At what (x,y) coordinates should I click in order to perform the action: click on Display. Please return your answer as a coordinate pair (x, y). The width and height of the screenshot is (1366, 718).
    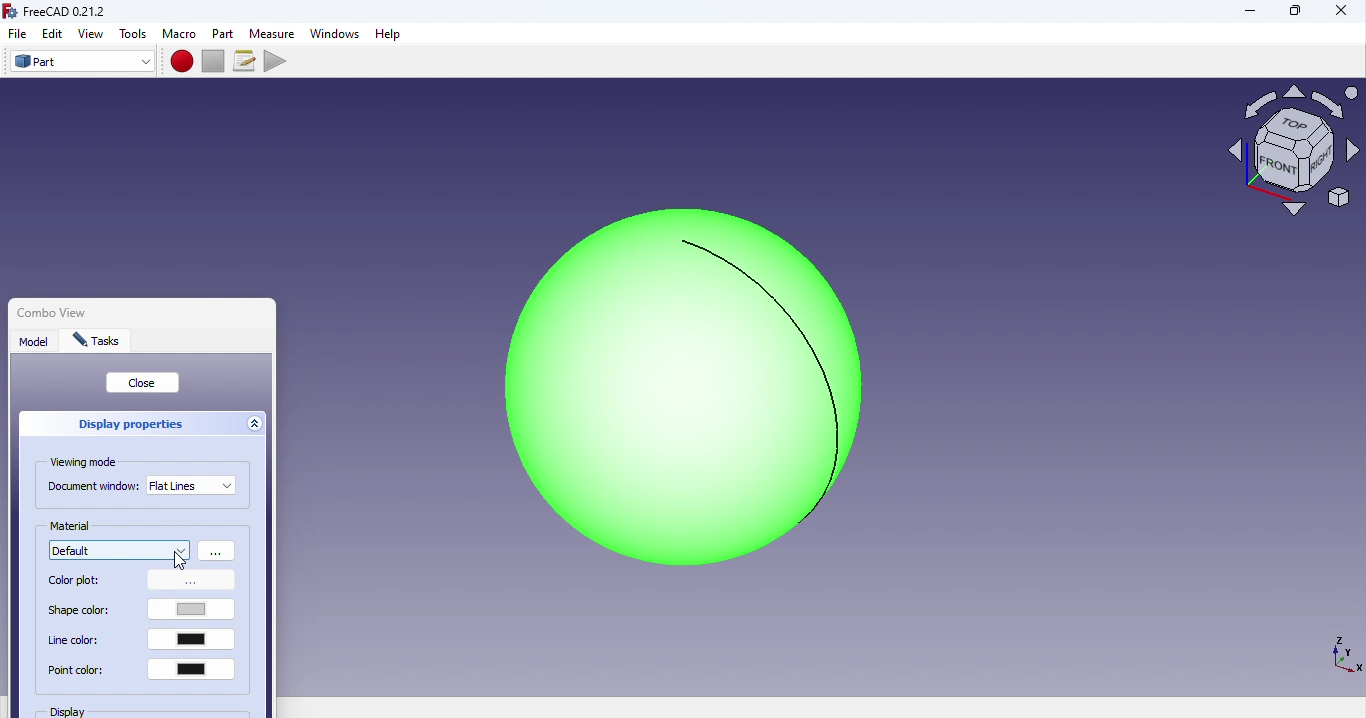
    Looking at the image, I should click on (96, 712).